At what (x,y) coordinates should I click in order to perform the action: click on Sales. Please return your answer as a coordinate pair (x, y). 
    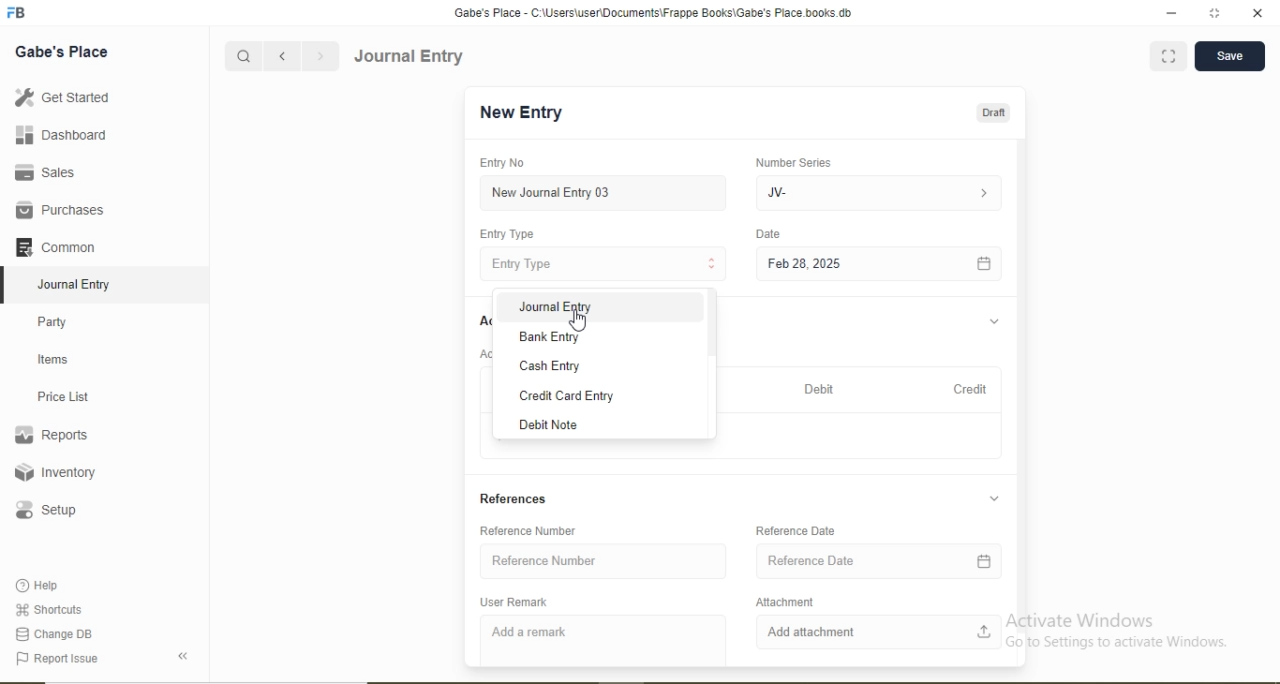
    Looking at the image, I should click on (42, 172).